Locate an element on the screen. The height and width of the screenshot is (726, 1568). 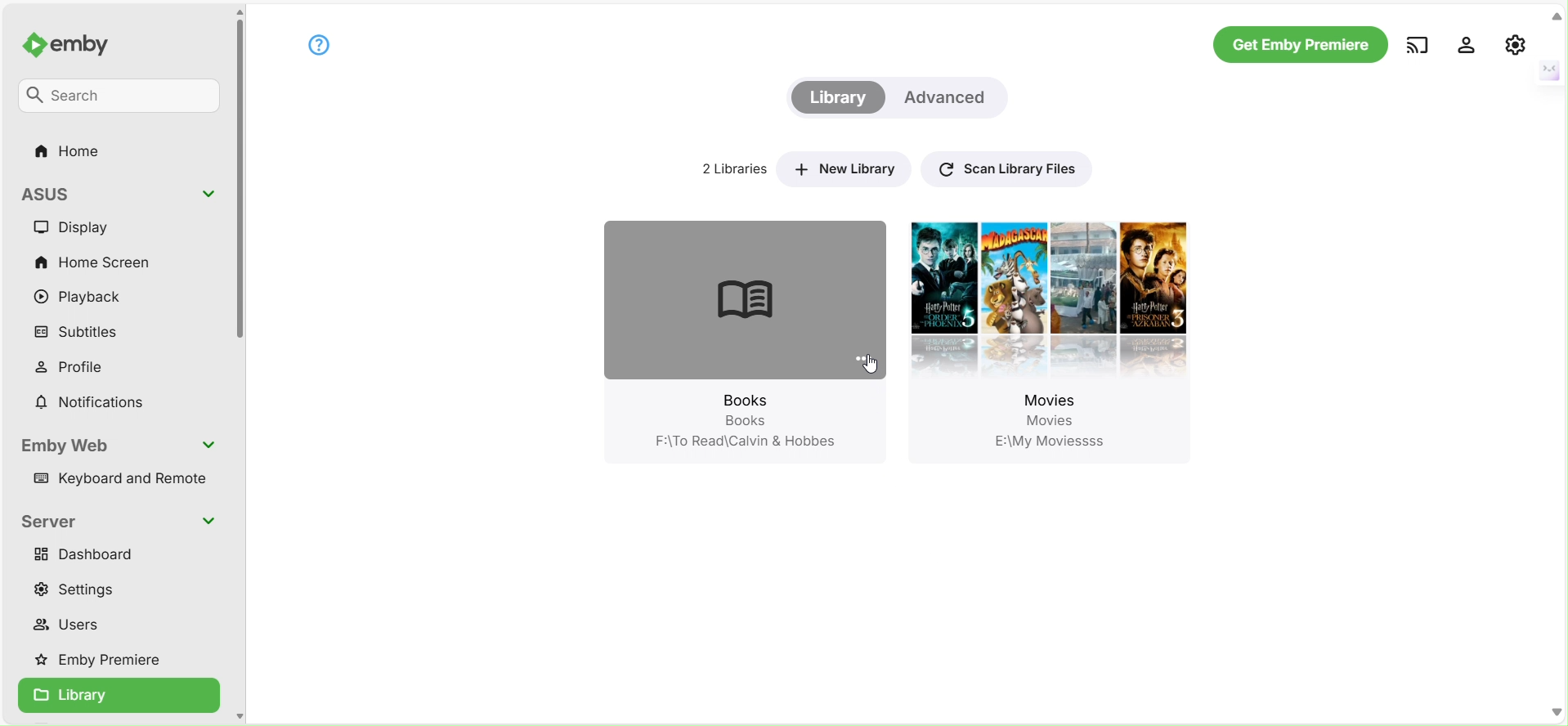
Playback is located at coordinates (83, 298).